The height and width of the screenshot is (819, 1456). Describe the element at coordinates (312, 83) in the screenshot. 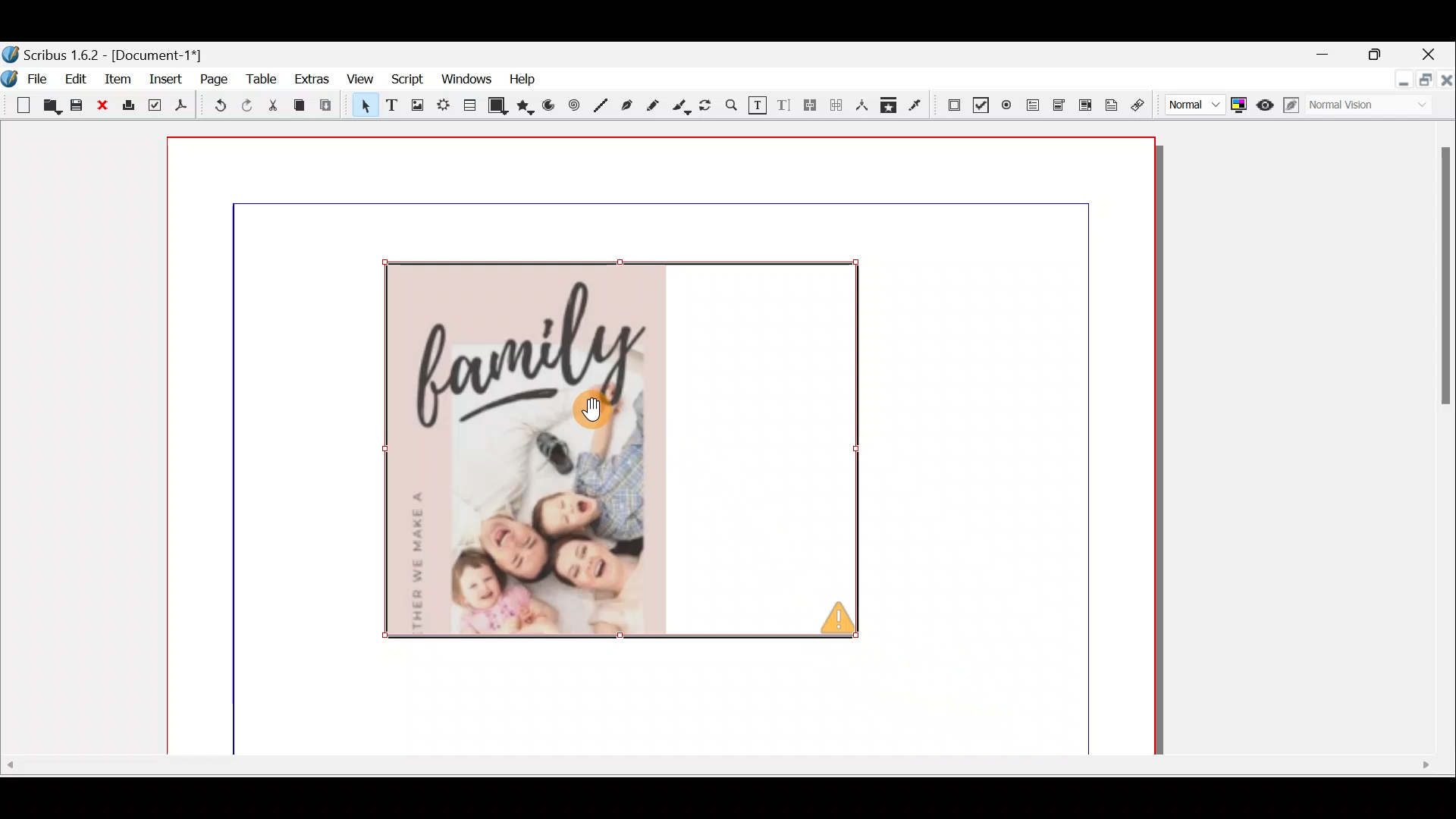

I see `Extras` at that location.